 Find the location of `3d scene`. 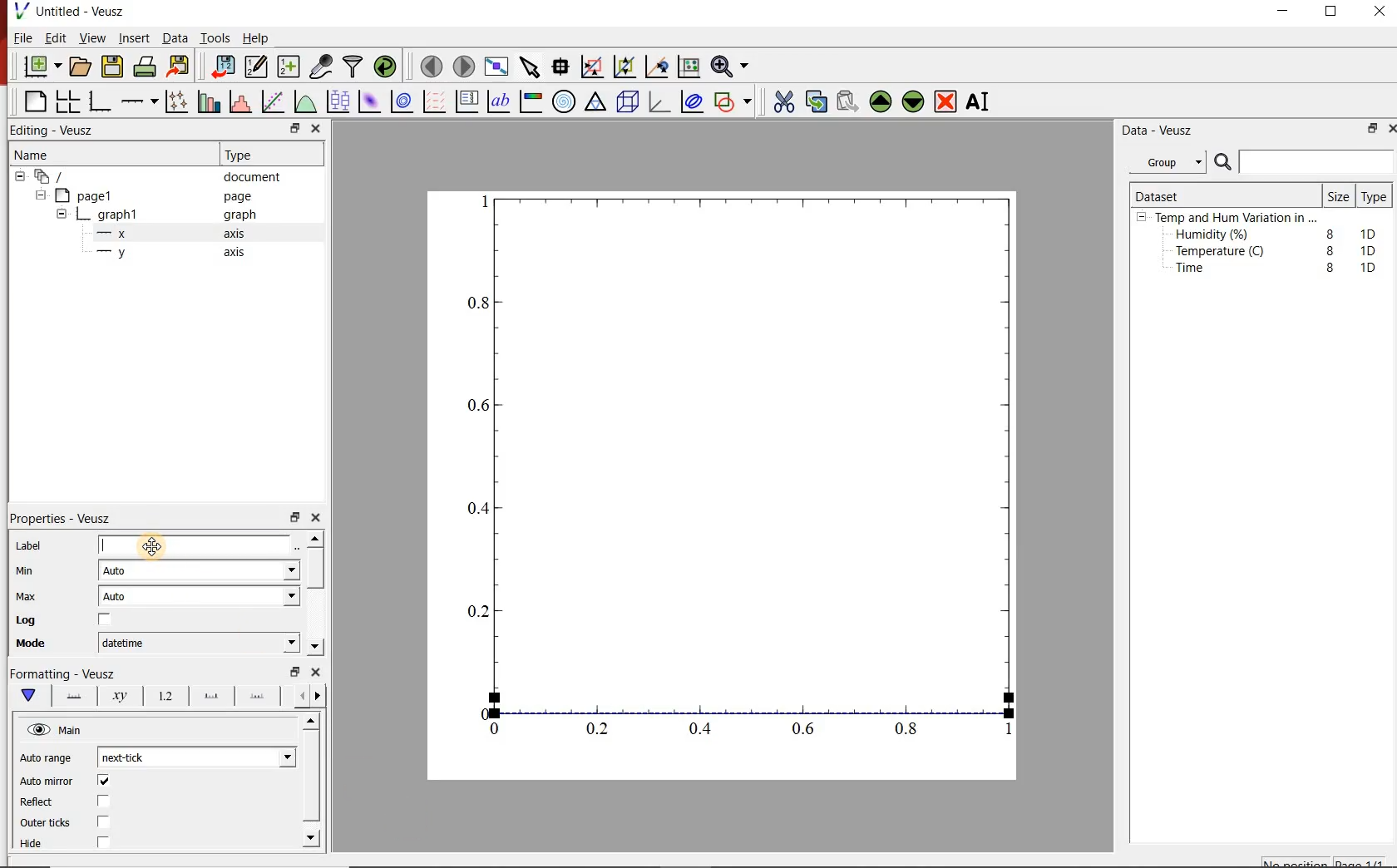

3d scene is located at coordinates (629, 104).